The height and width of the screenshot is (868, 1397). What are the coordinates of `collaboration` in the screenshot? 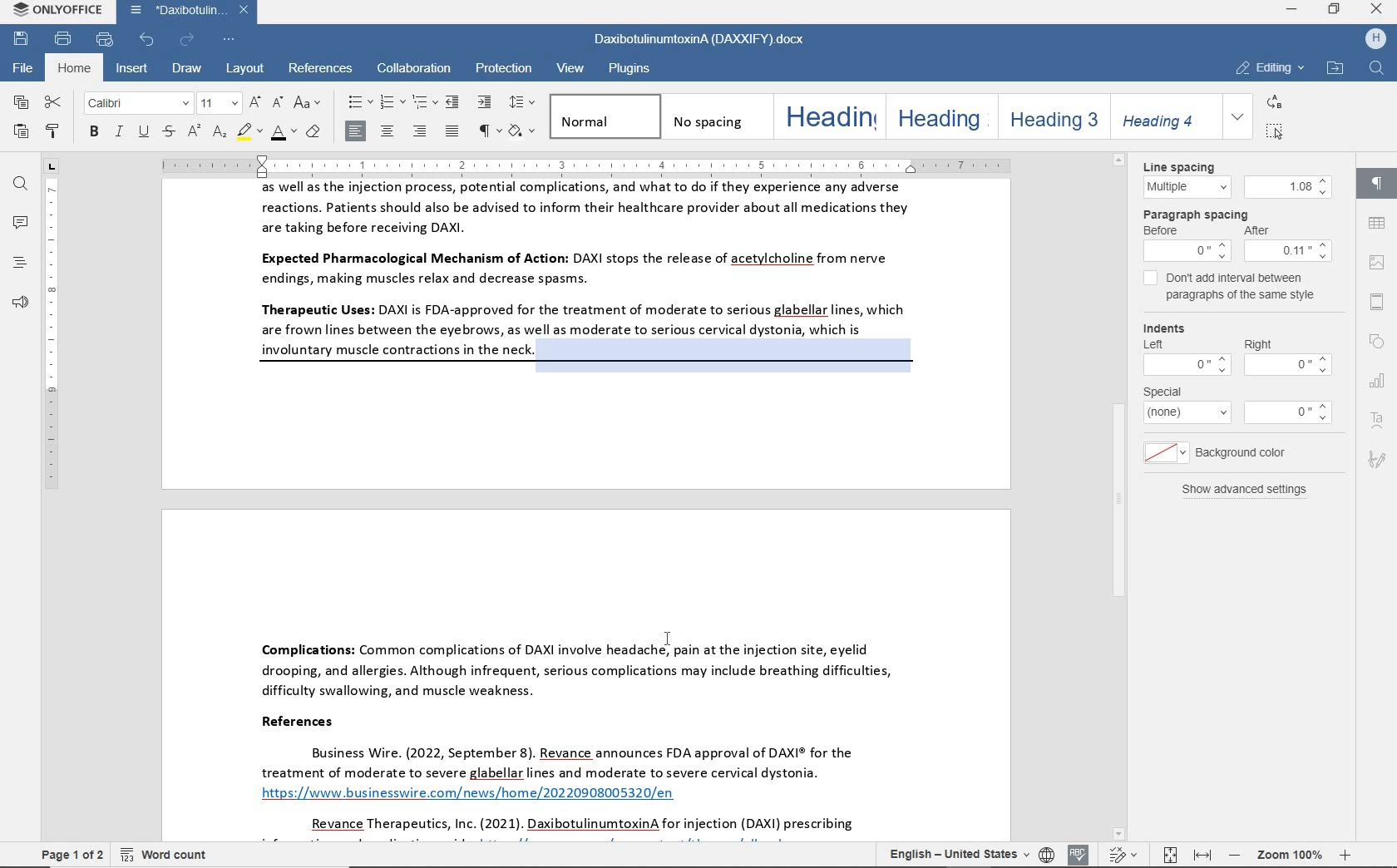 It's located at (412, 70).